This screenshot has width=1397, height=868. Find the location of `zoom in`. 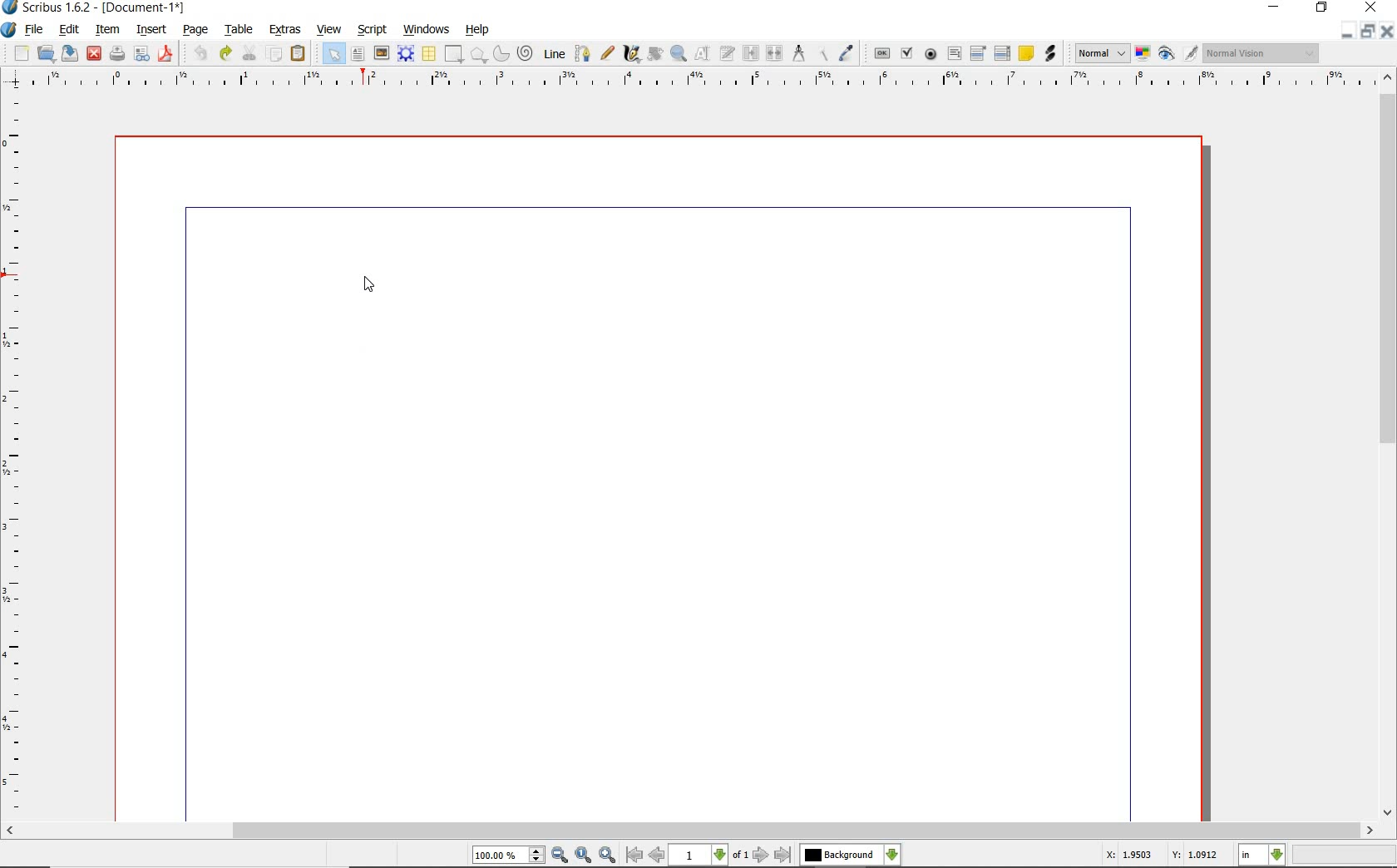

zoom in is located at coordinates (608, 856).